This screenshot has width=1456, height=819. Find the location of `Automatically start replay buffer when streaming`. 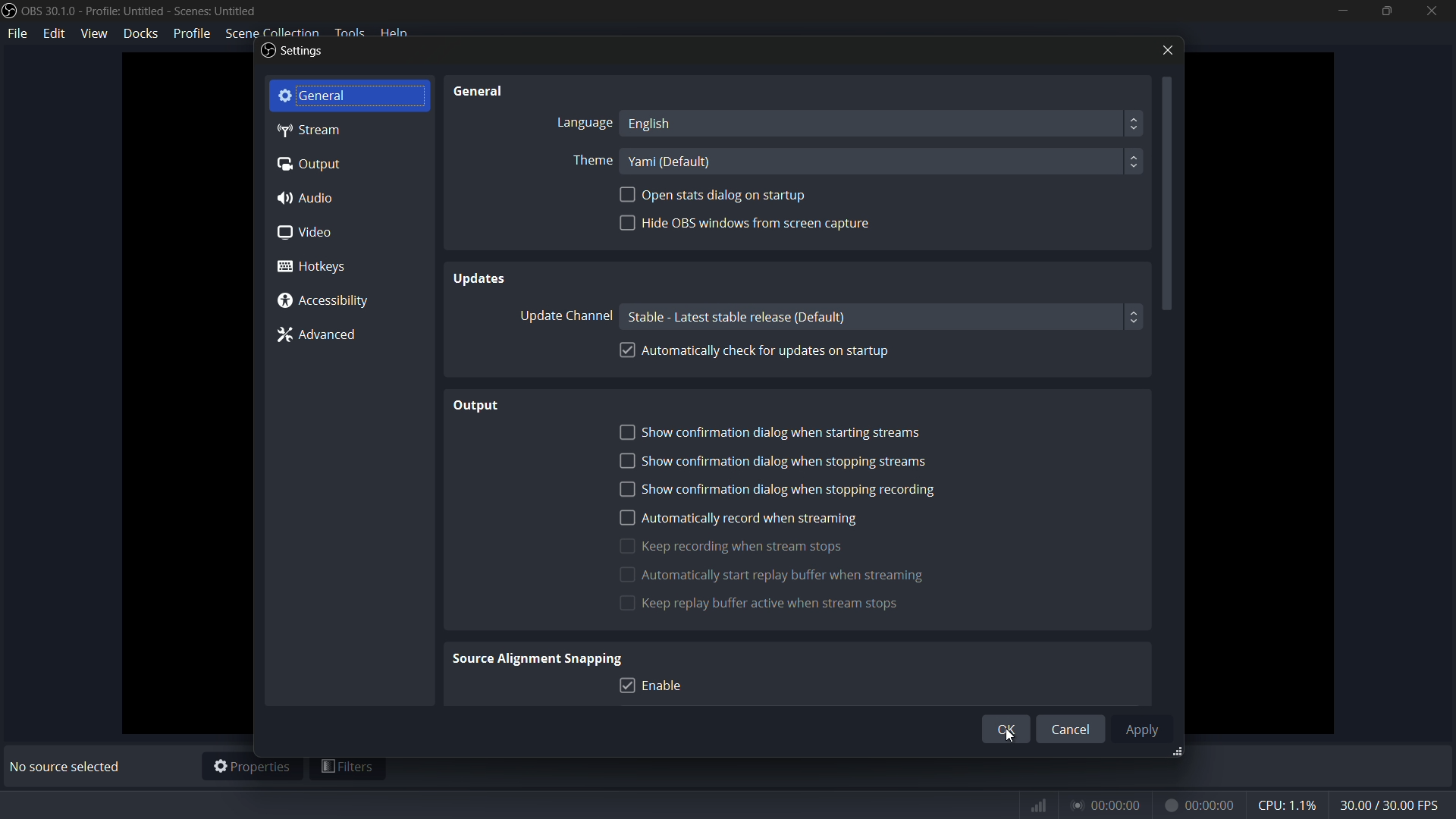

Automatically start replay buffer when streaming is located at coordinates (780, 574).